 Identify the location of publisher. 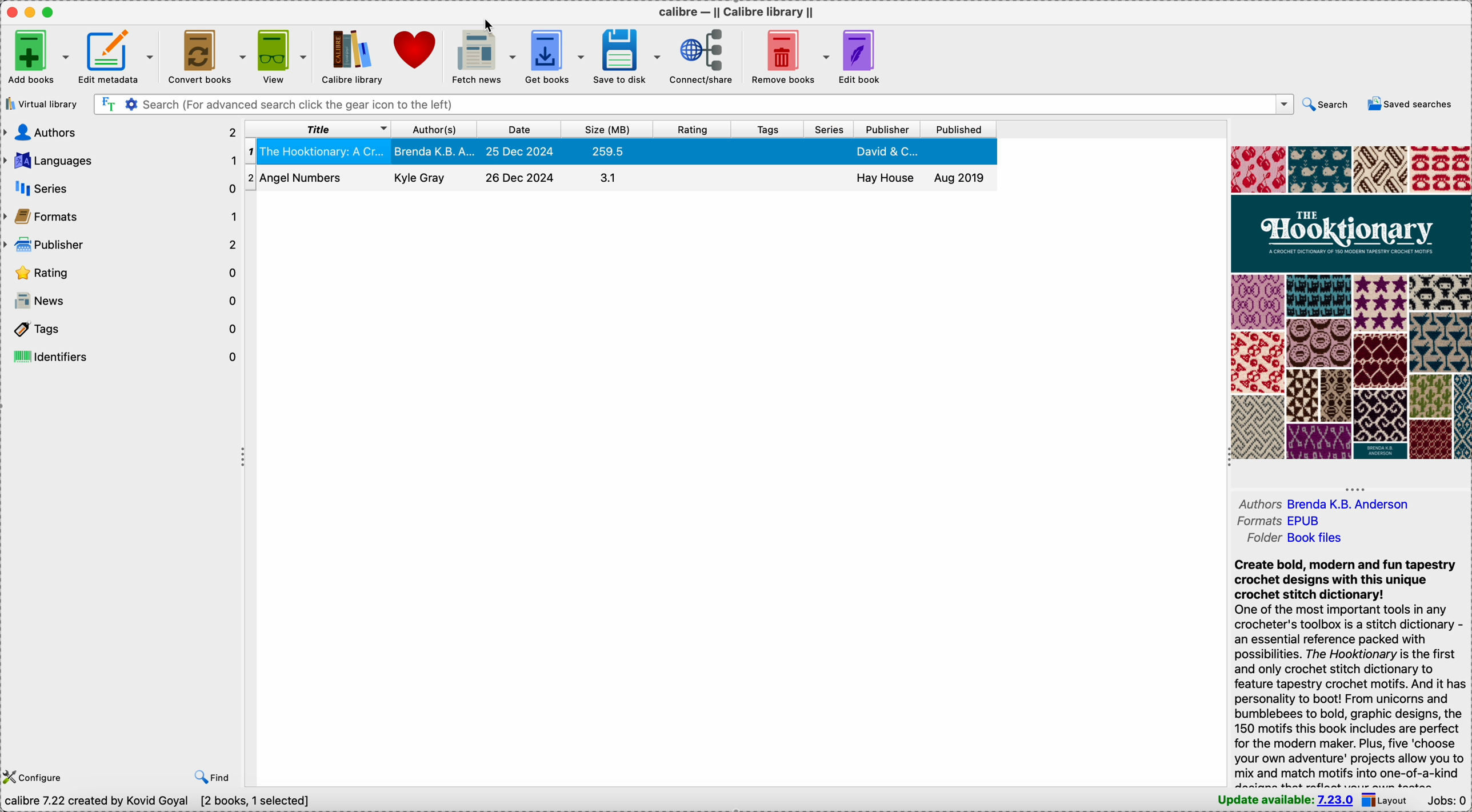
(886, 130).